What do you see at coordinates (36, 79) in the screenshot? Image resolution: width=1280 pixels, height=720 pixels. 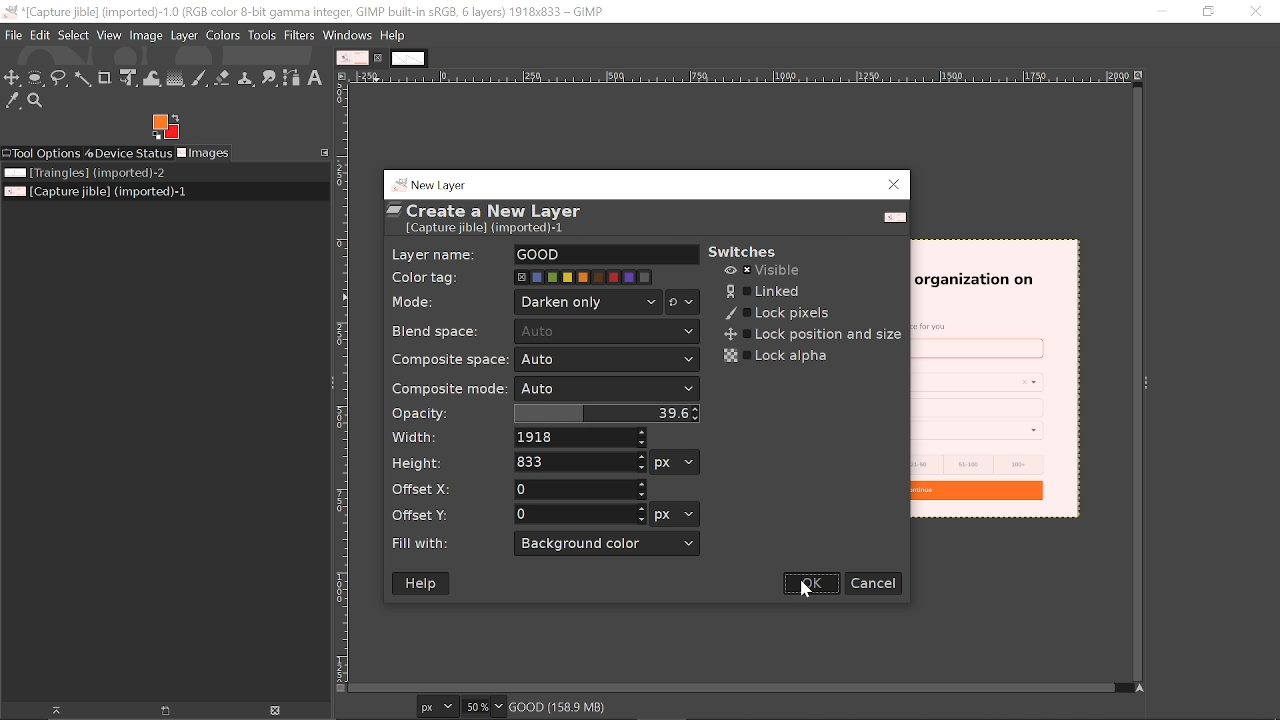 I see `Ellipse select tool` at bounding box center [36, 79].